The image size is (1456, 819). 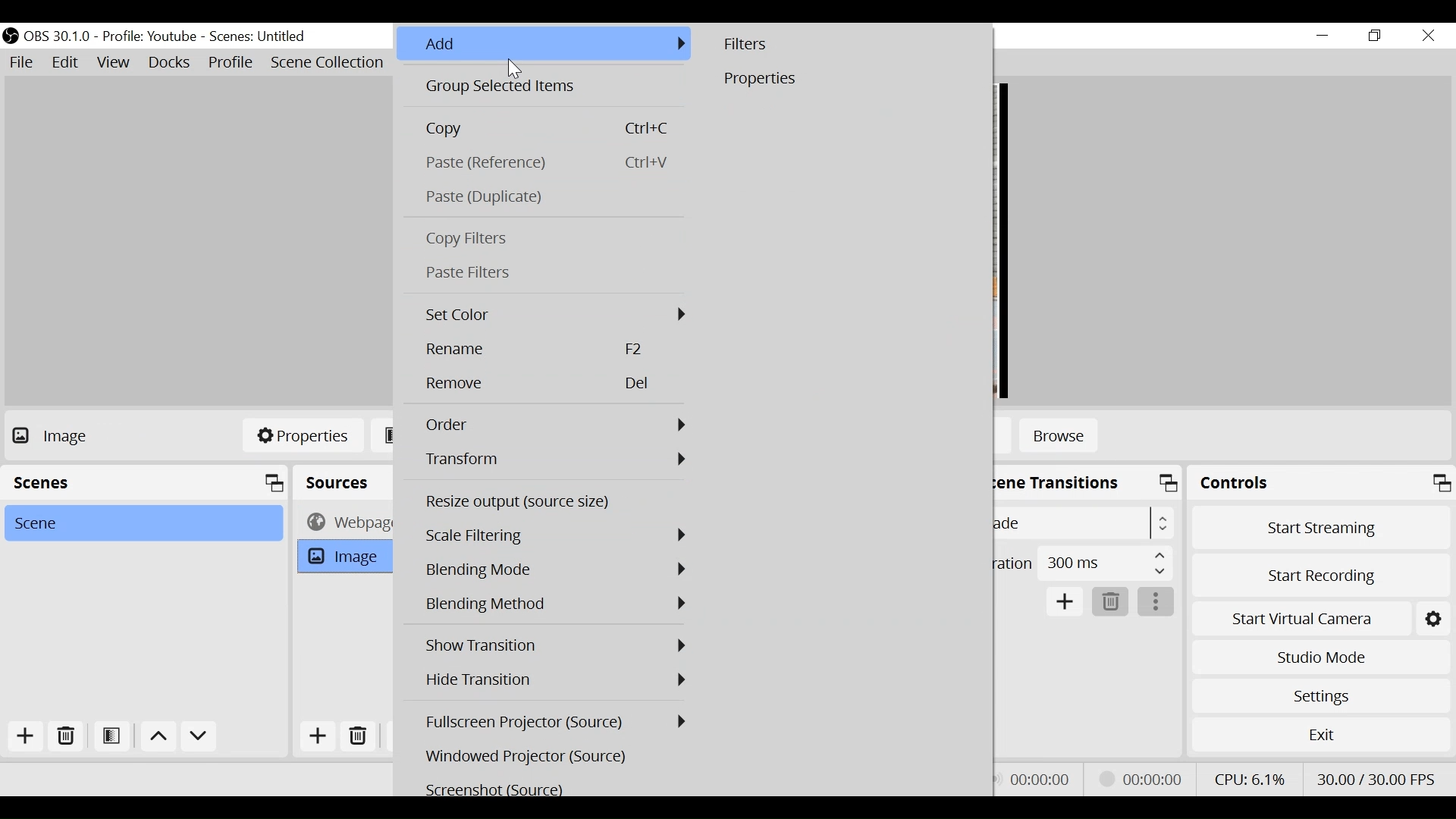 I want to click on Restore, so click(x=1375, y=36).